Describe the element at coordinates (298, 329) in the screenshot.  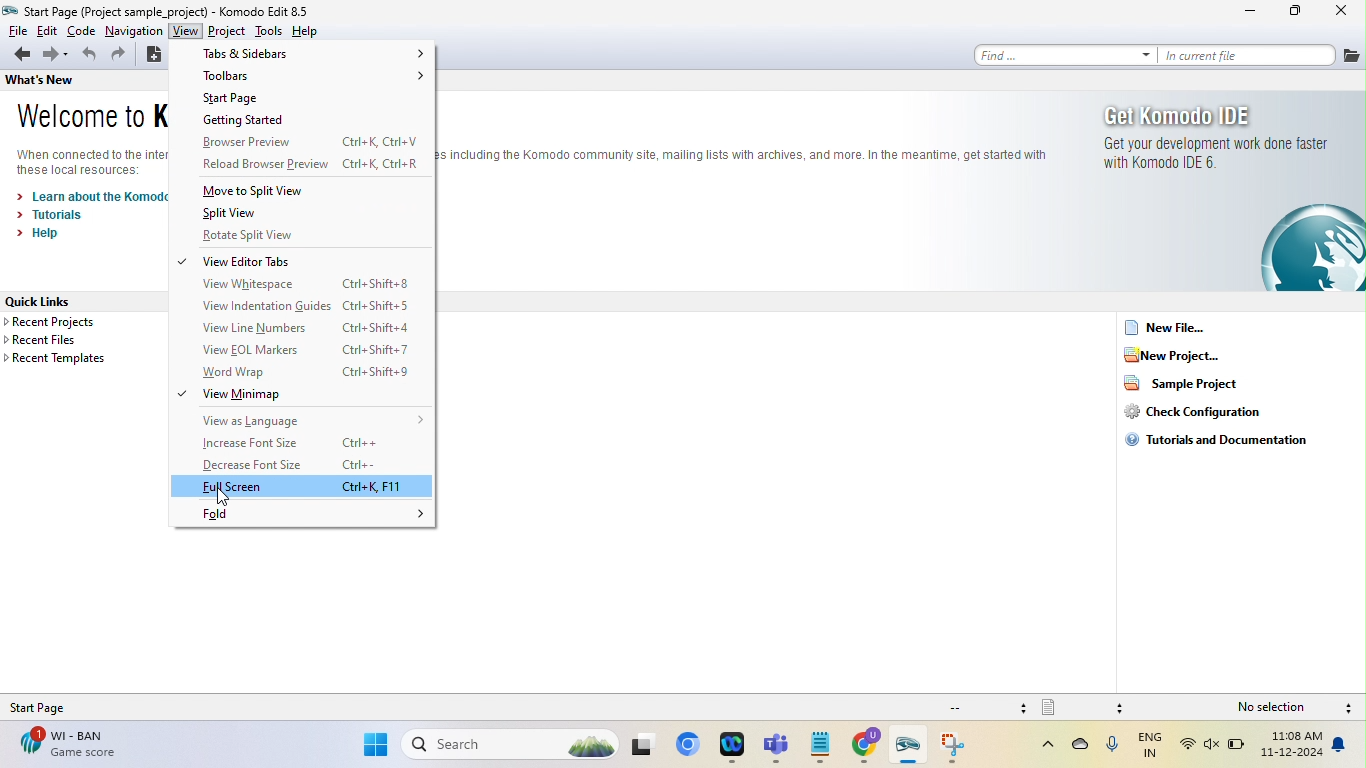
I see `view line numbers` at that location.